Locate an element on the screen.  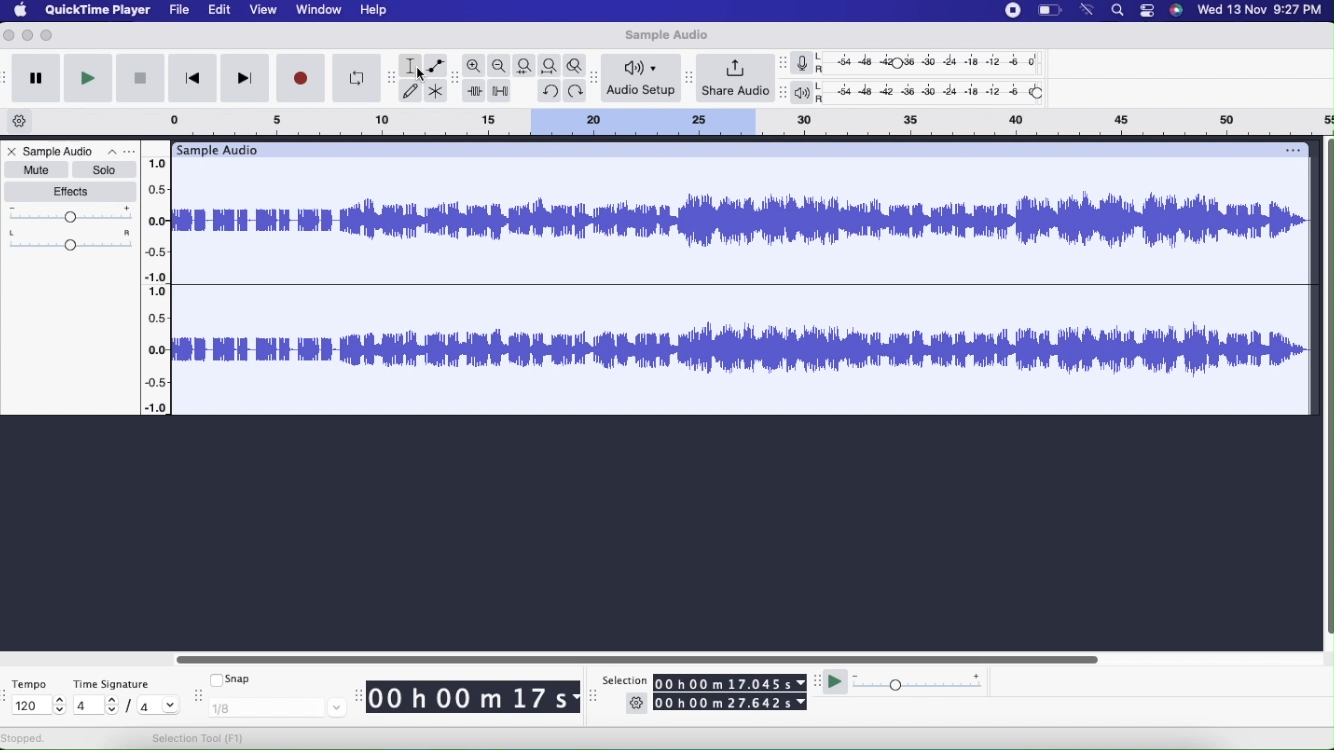
spotlight is located at coordinates (1118, 12).